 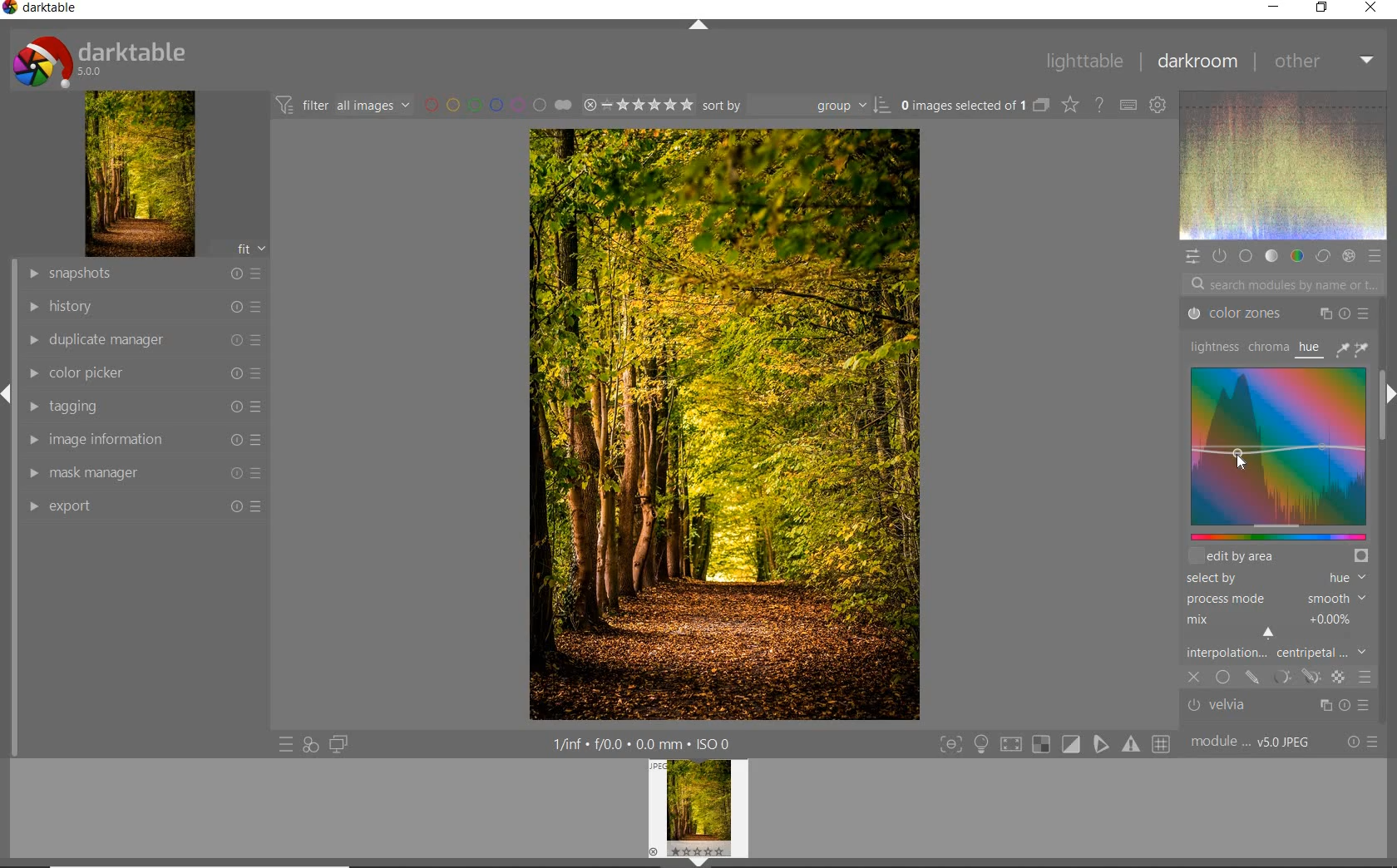 I want to click on SHOW GLOBAL PREFERENCE, so click(x=1159, y=104).